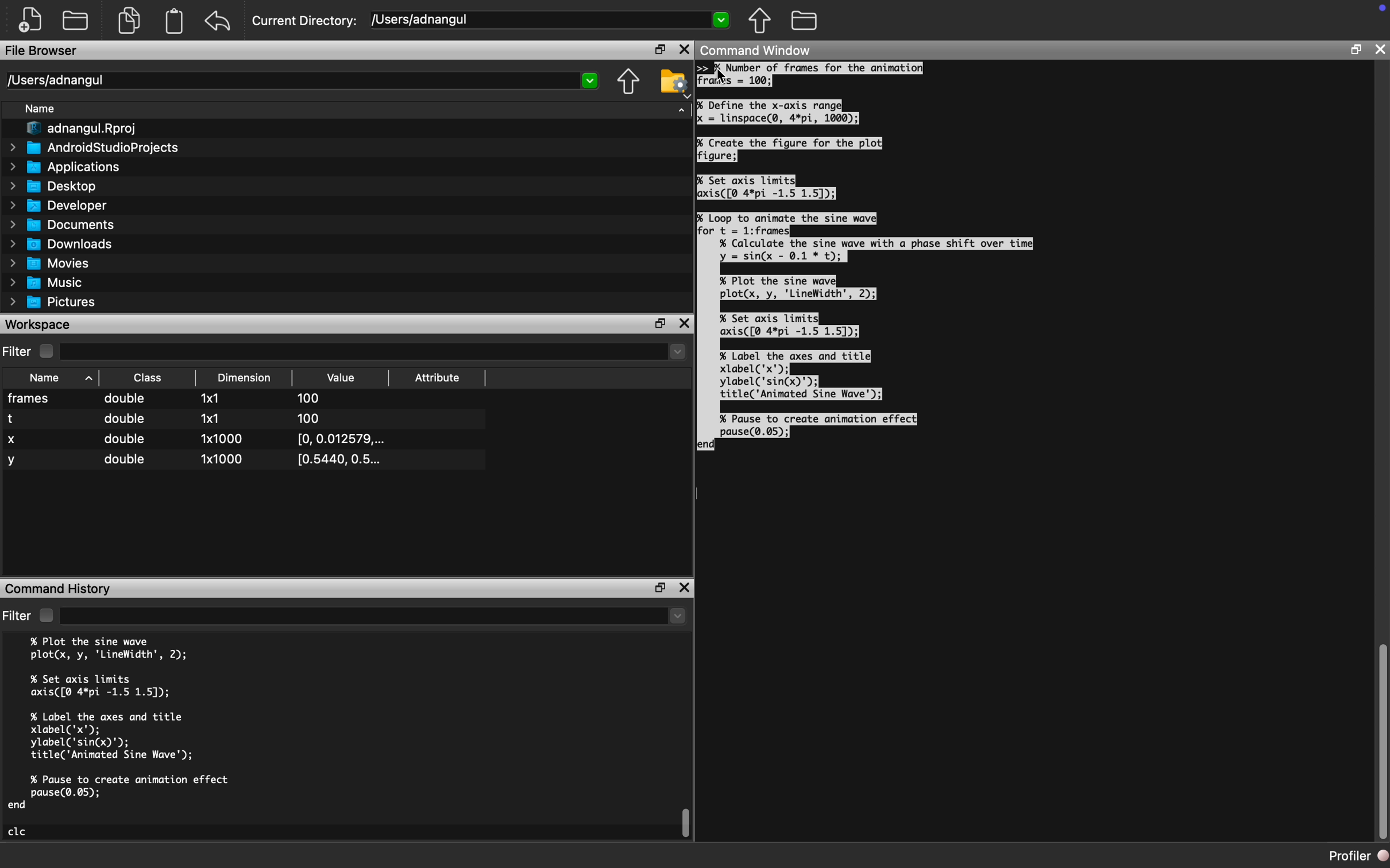 This screenshot has height=868, width=1390. Describe the element at coordinates (16, 617) in the screenshot. I see `Filter` at that location.